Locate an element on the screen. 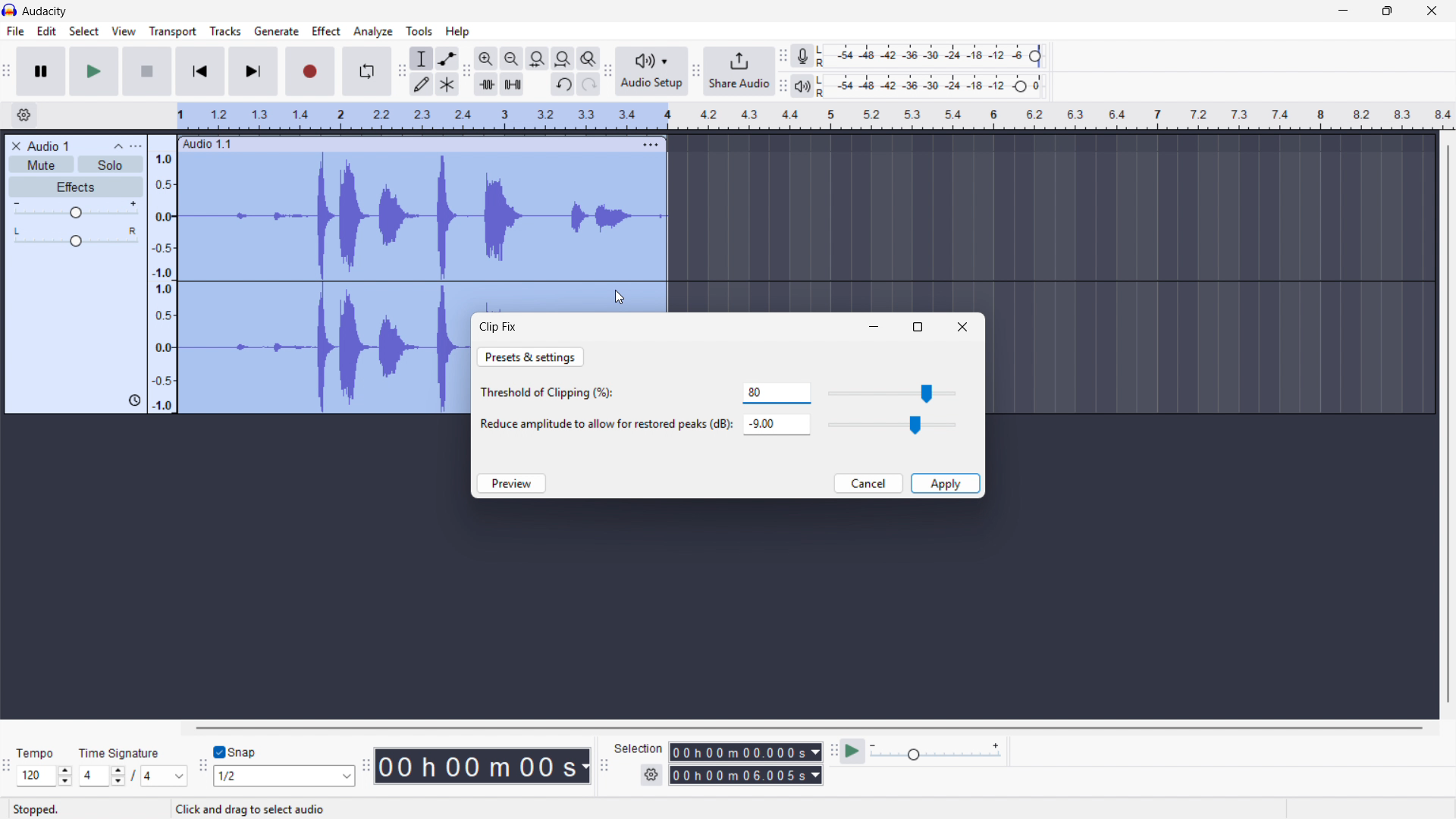  Slider for reducing amplitude is located at coordinates (893, 425).